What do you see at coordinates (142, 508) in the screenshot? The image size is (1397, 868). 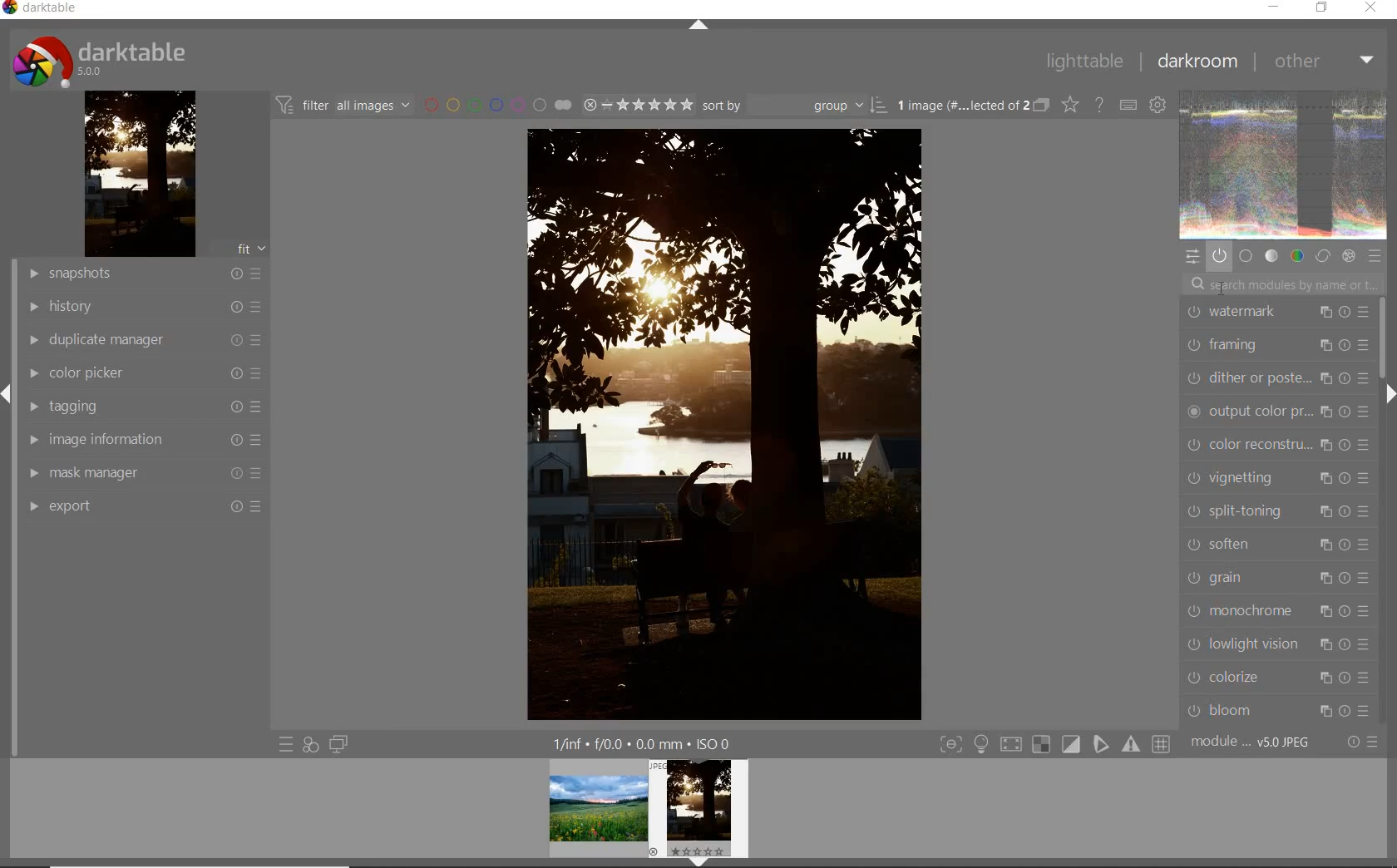 I see `export` at bounding box center [142, 508].